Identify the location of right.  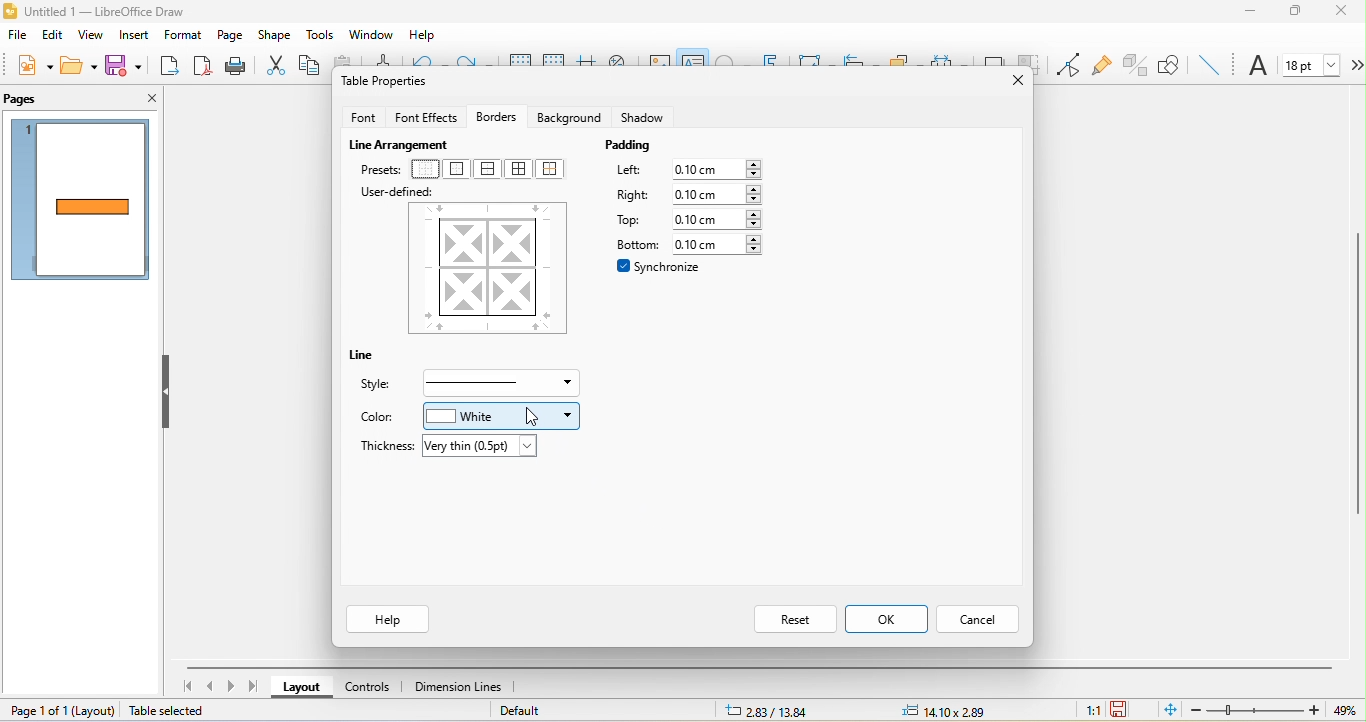
(632, 195).